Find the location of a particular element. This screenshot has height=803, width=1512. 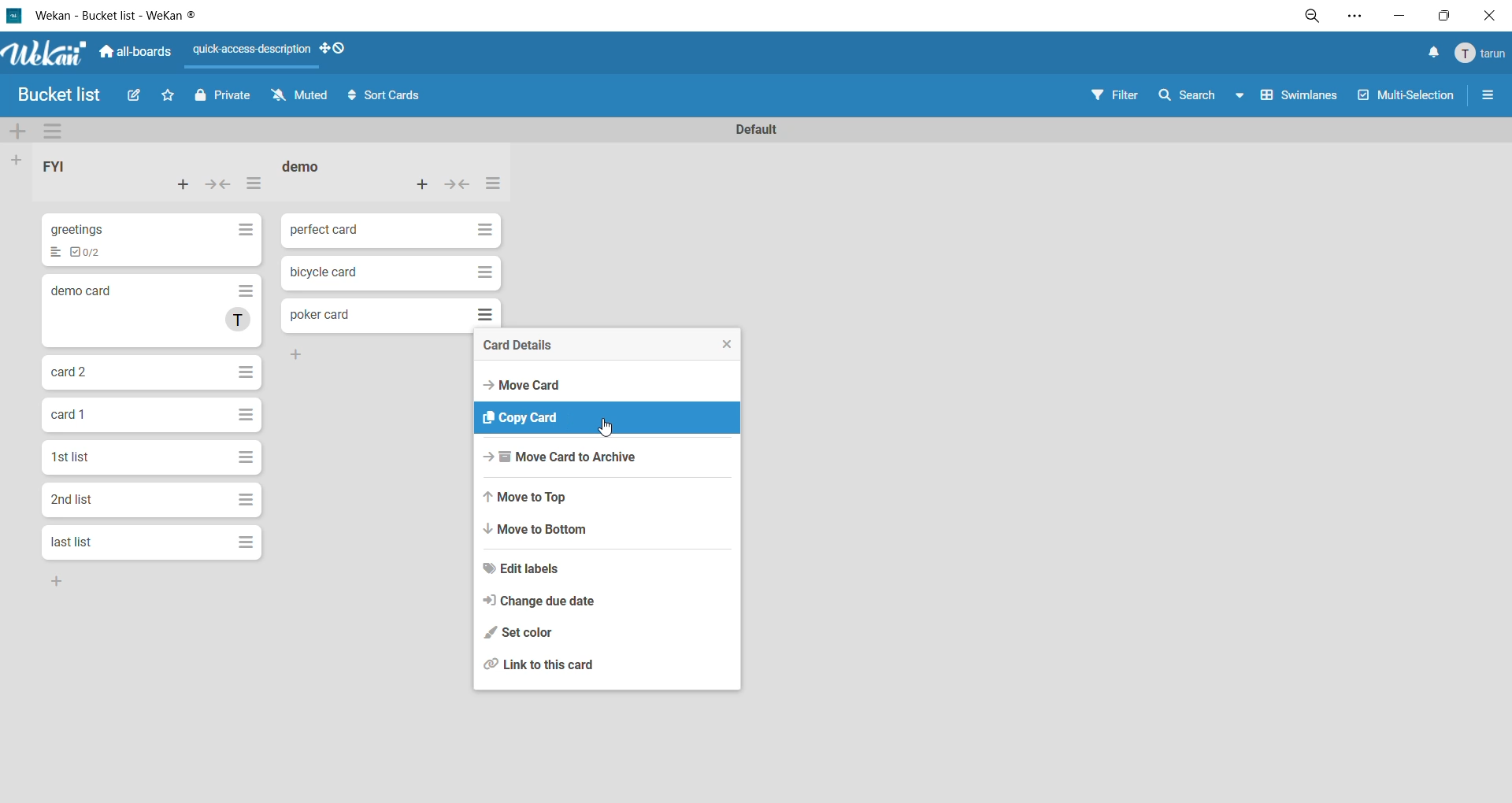

Hamburger is located at coordinates (243, 294).